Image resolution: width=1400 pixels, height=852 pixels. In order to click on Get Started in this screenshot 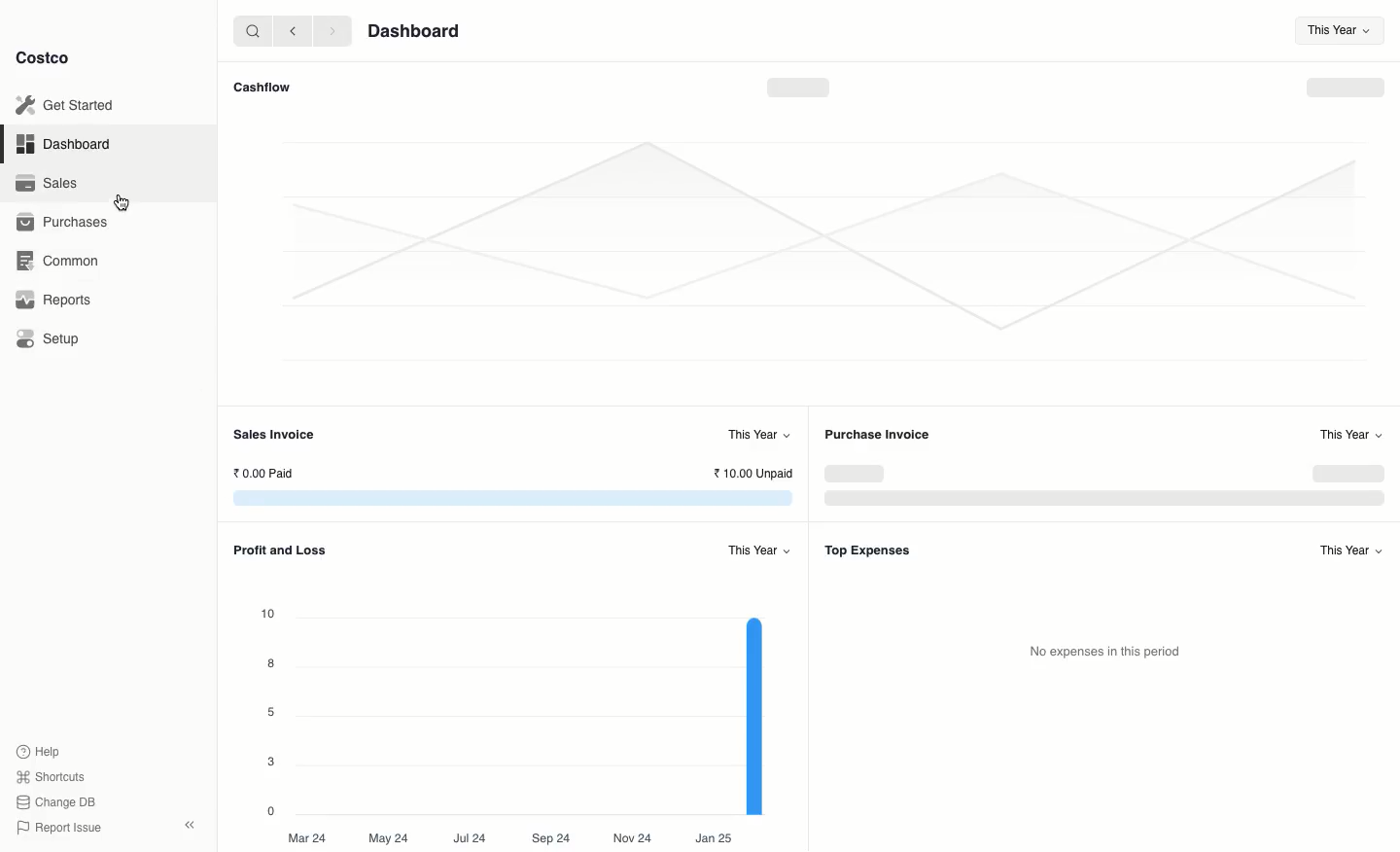, I will do `click(72, 104)`.